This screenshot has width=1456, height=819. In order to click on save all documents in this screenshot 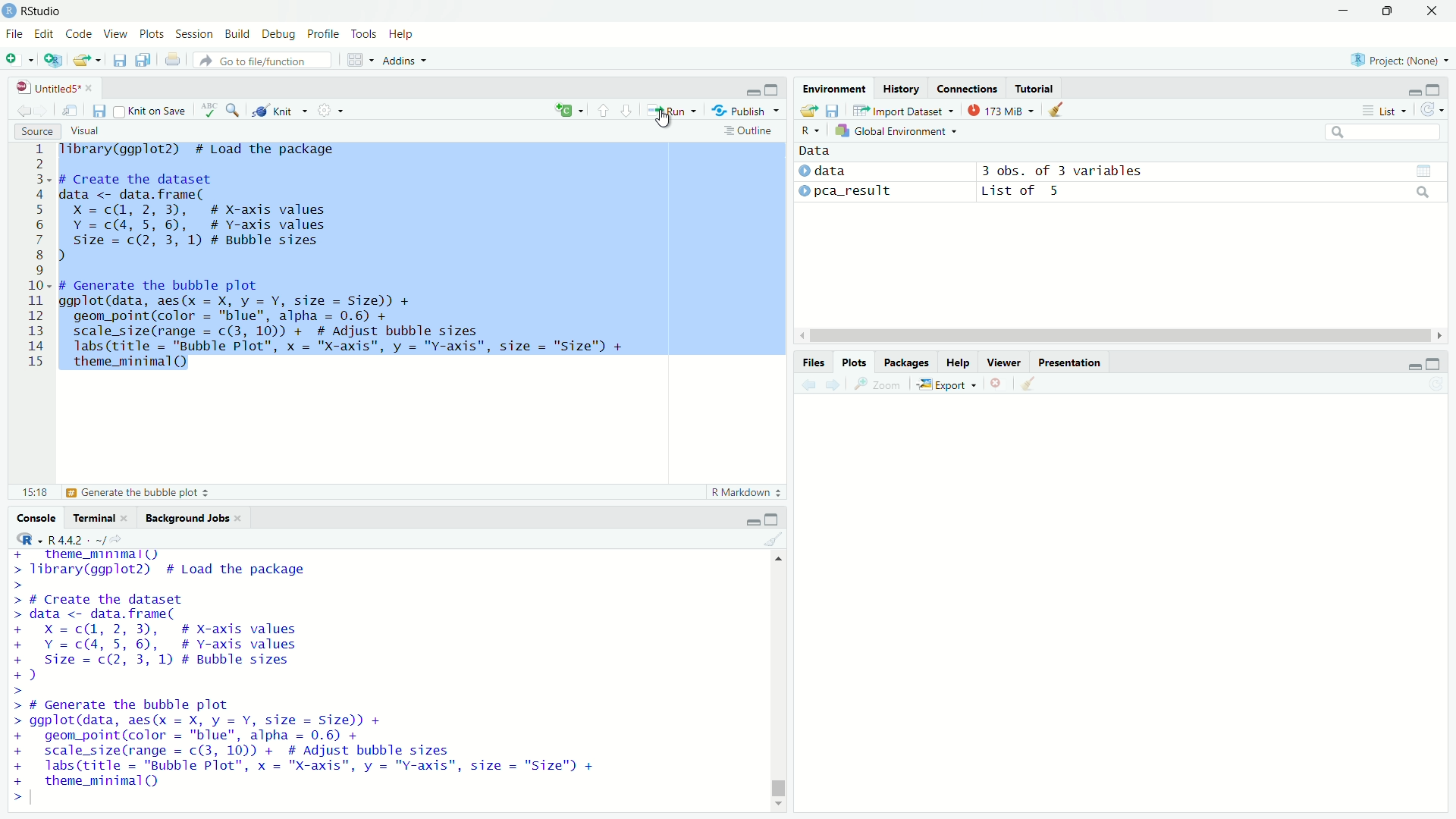, I will do `click(146, 58)`.